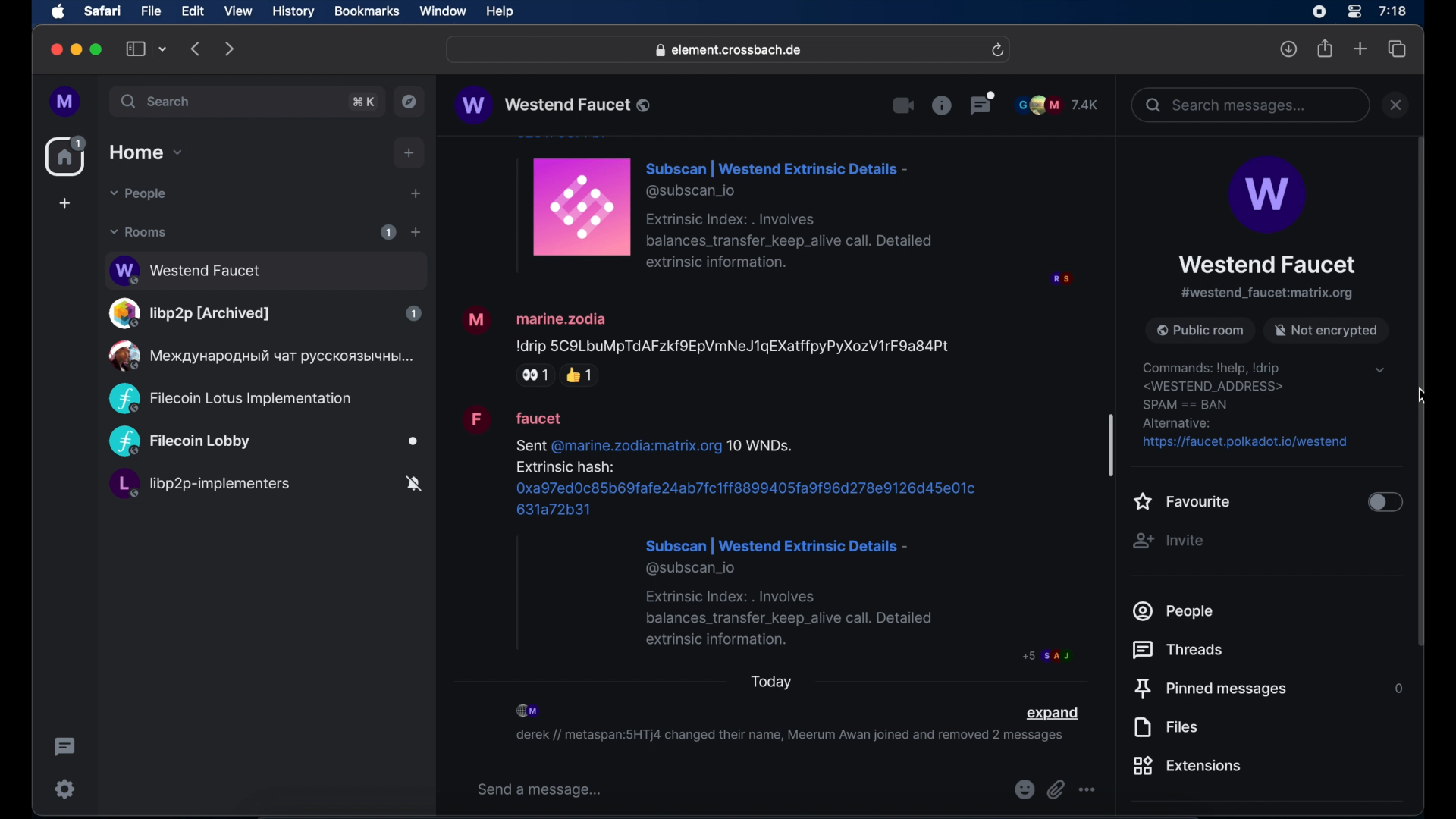  Describe the element at coordinates (1111, 444) in the screenshot. I see `scroll box` at that location.